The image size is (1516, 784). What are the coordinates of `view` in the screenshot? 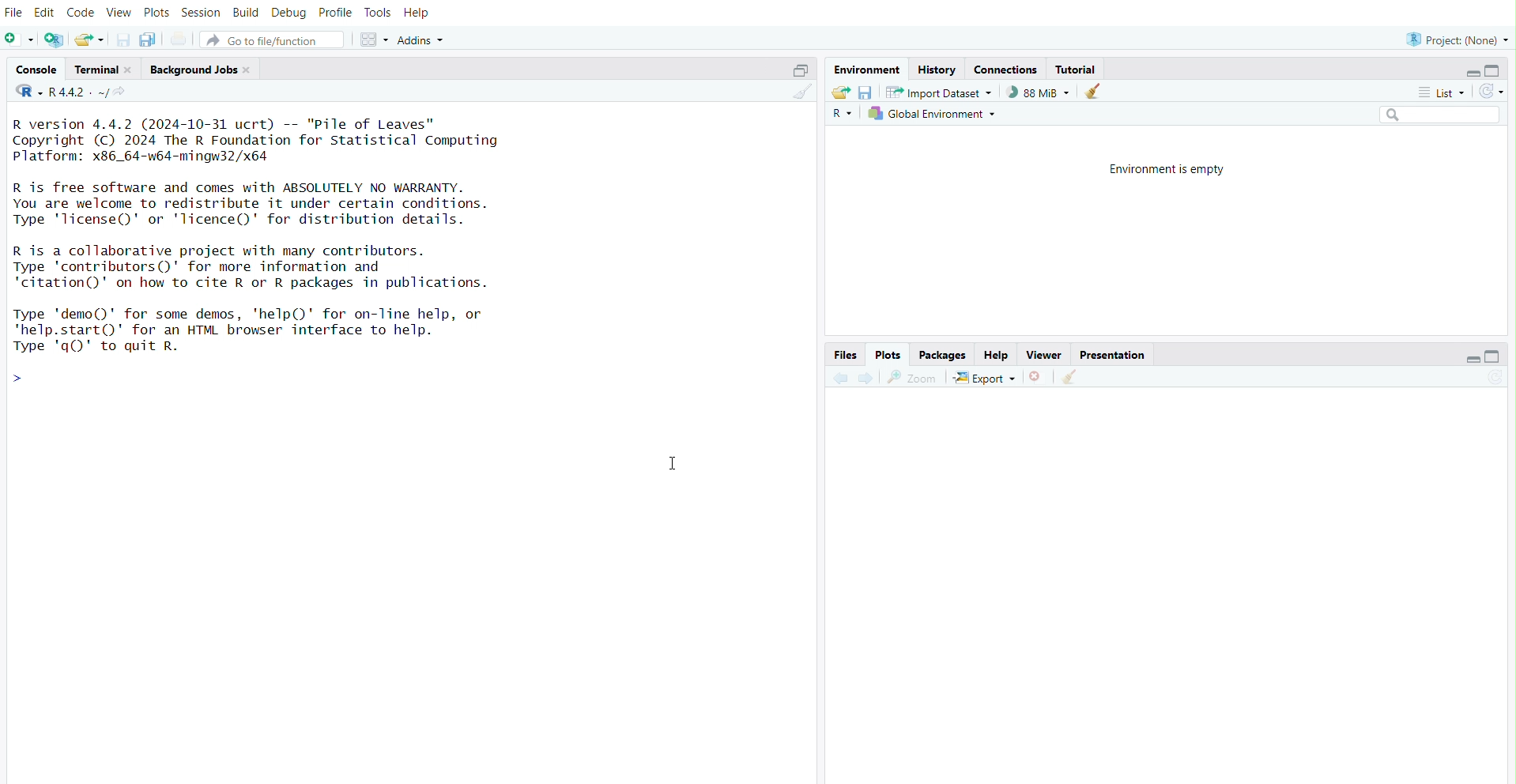 It's located at (119, 9).